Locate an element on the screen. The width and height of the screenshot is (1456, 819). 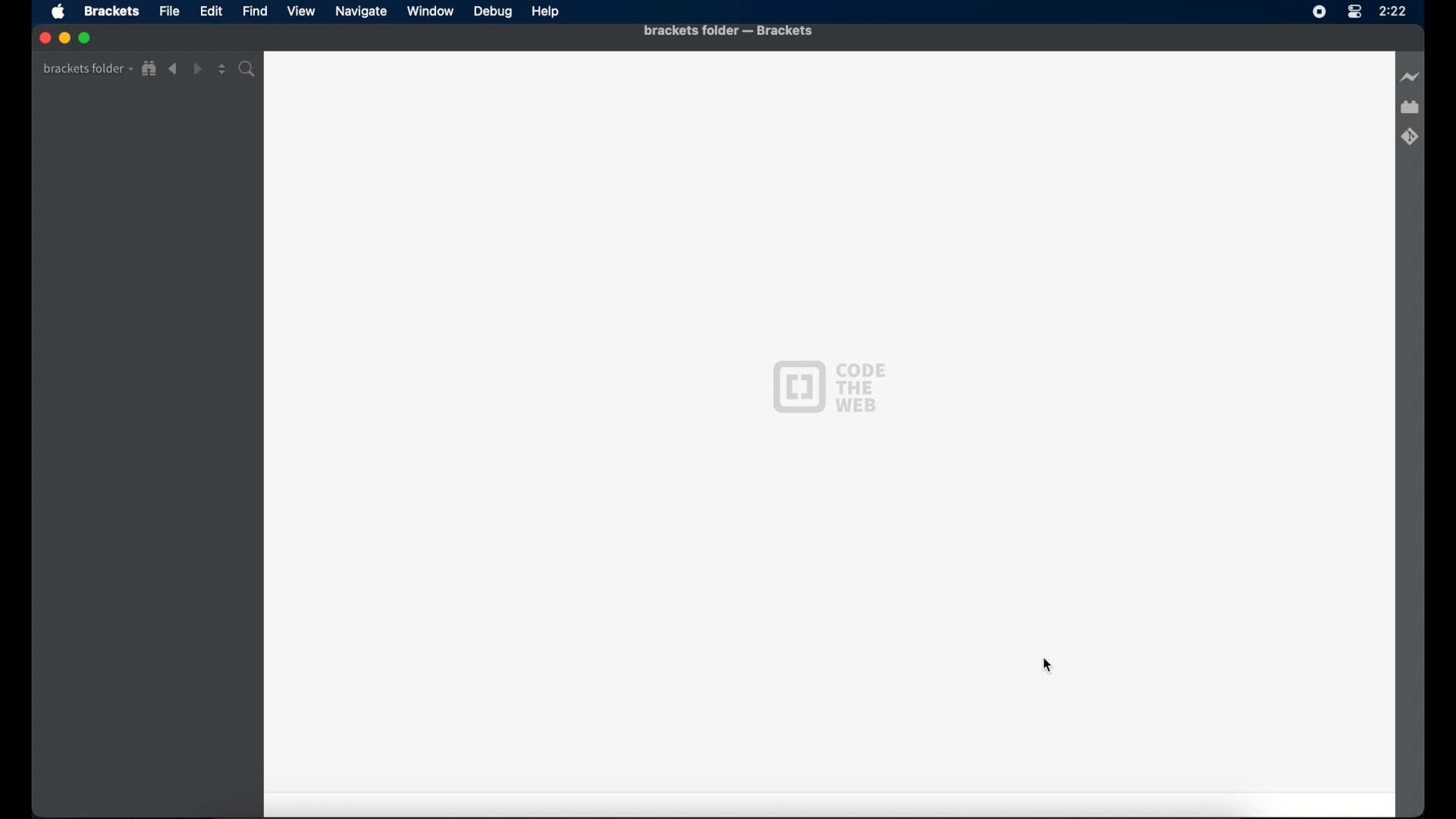
live preview is located at coordinates (1408, 77).